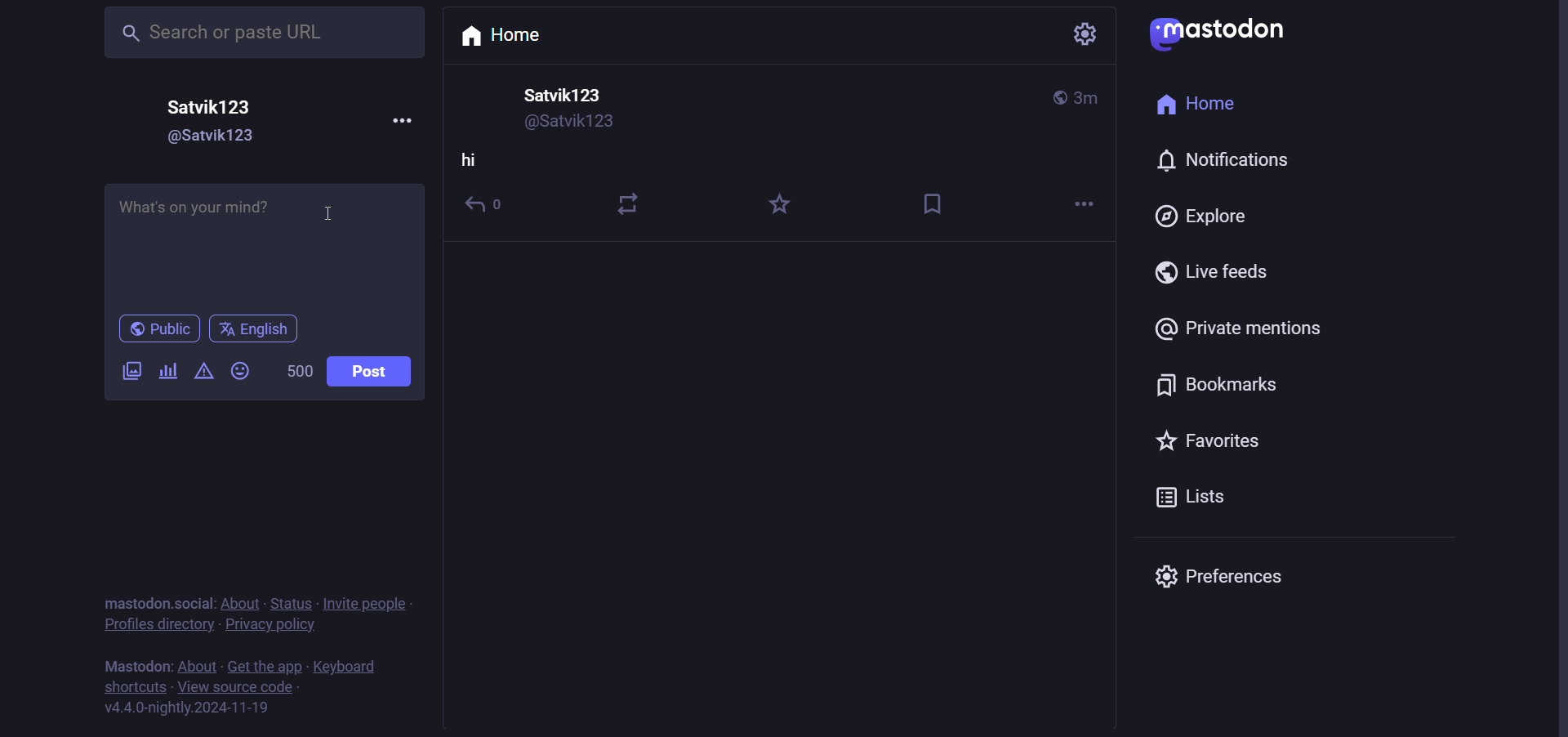 The width and height of the screenshot is (1568, 737). What do you see at coordinates (198, 666) in the screenshot?
I see `about` at bounding box center [198, 666].